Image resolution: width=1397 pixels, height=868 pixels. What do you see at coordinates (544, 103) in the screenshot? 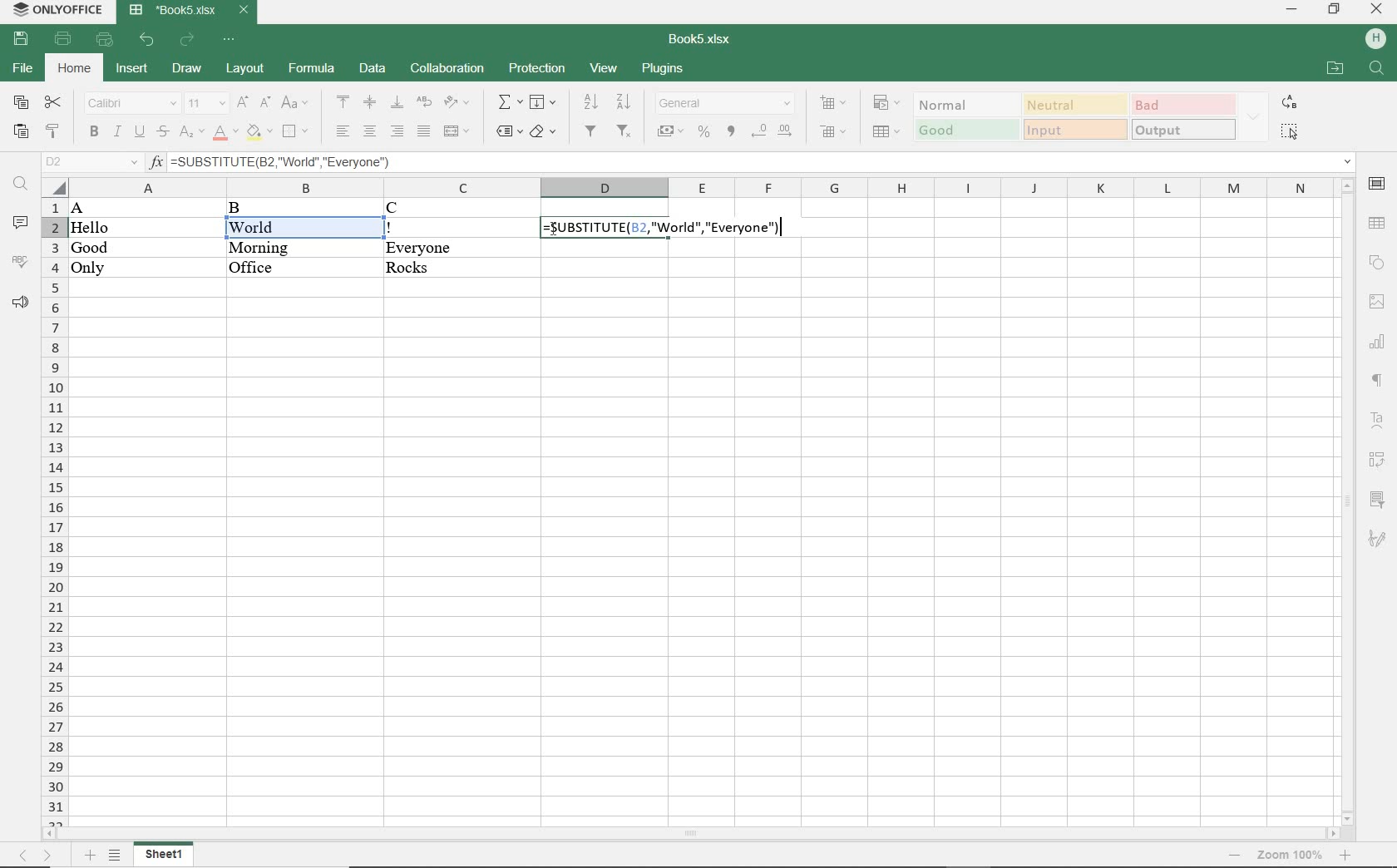
I see `fill` at bounding box center [544, 103].